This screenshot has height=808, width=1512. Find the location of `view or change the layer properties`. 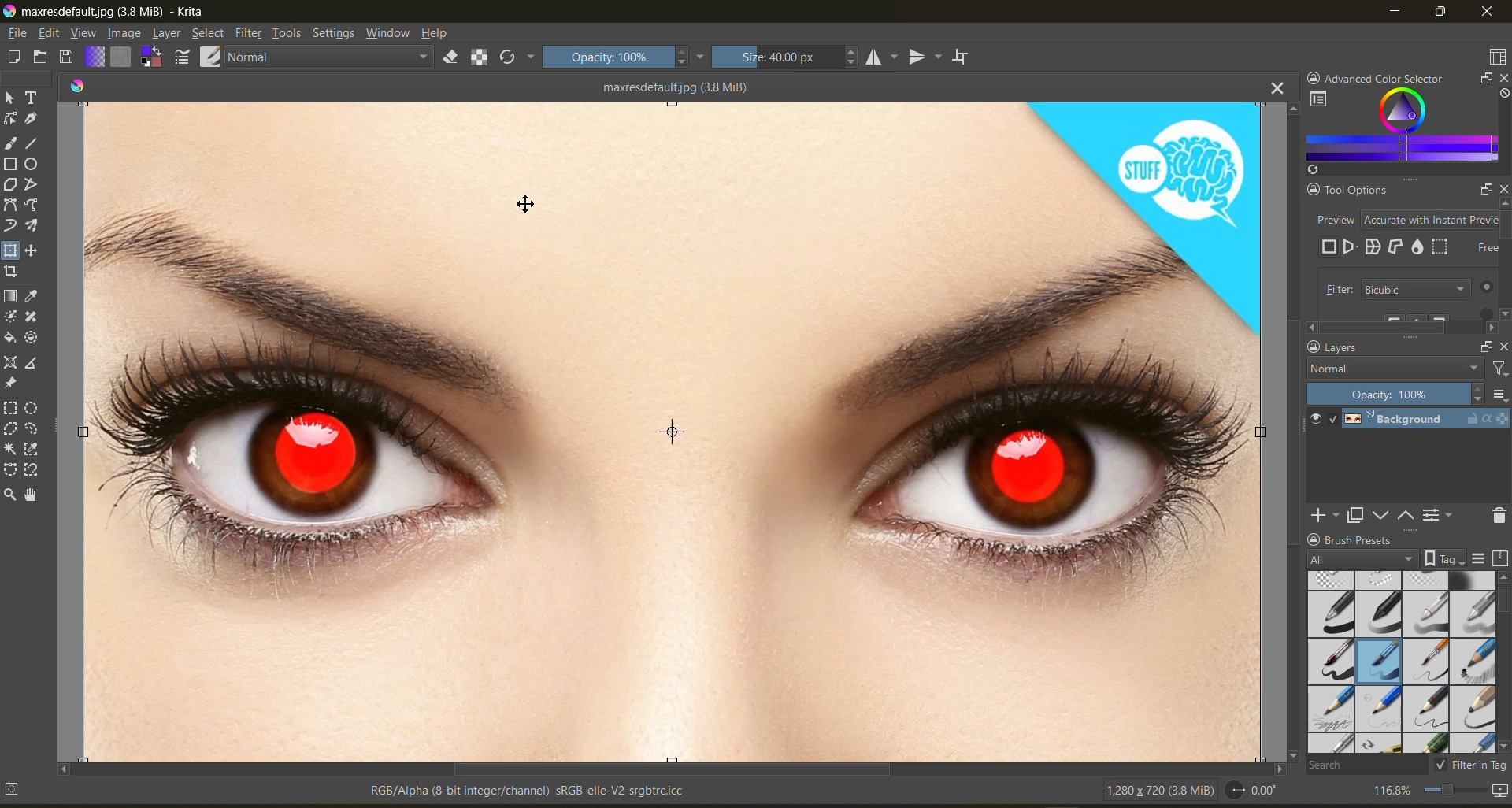

view or change the layer properties is located at coordinates (1440, 514).